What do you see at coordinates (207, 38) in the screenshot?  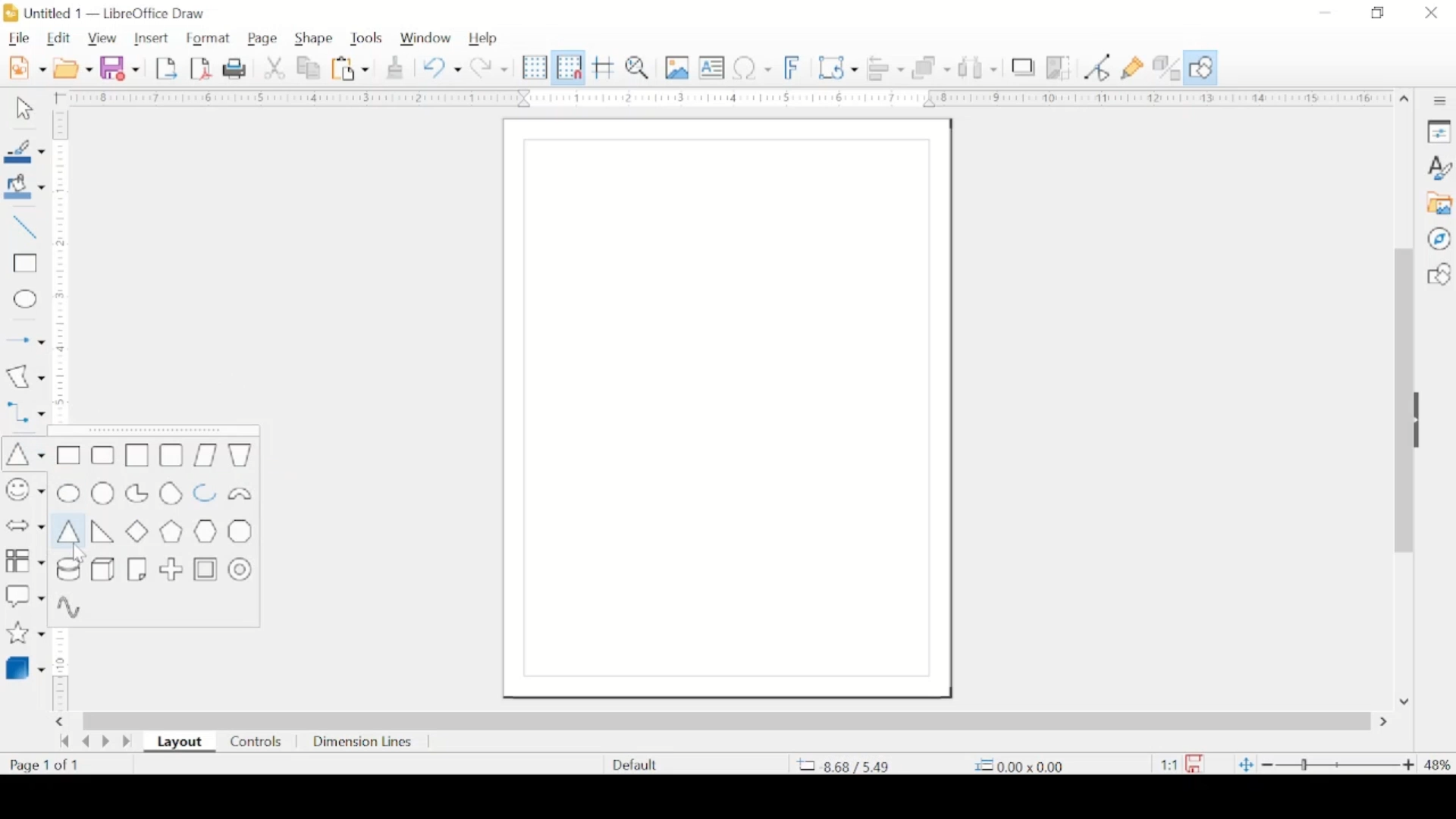 I see `format` at bounding box center [207, 38].